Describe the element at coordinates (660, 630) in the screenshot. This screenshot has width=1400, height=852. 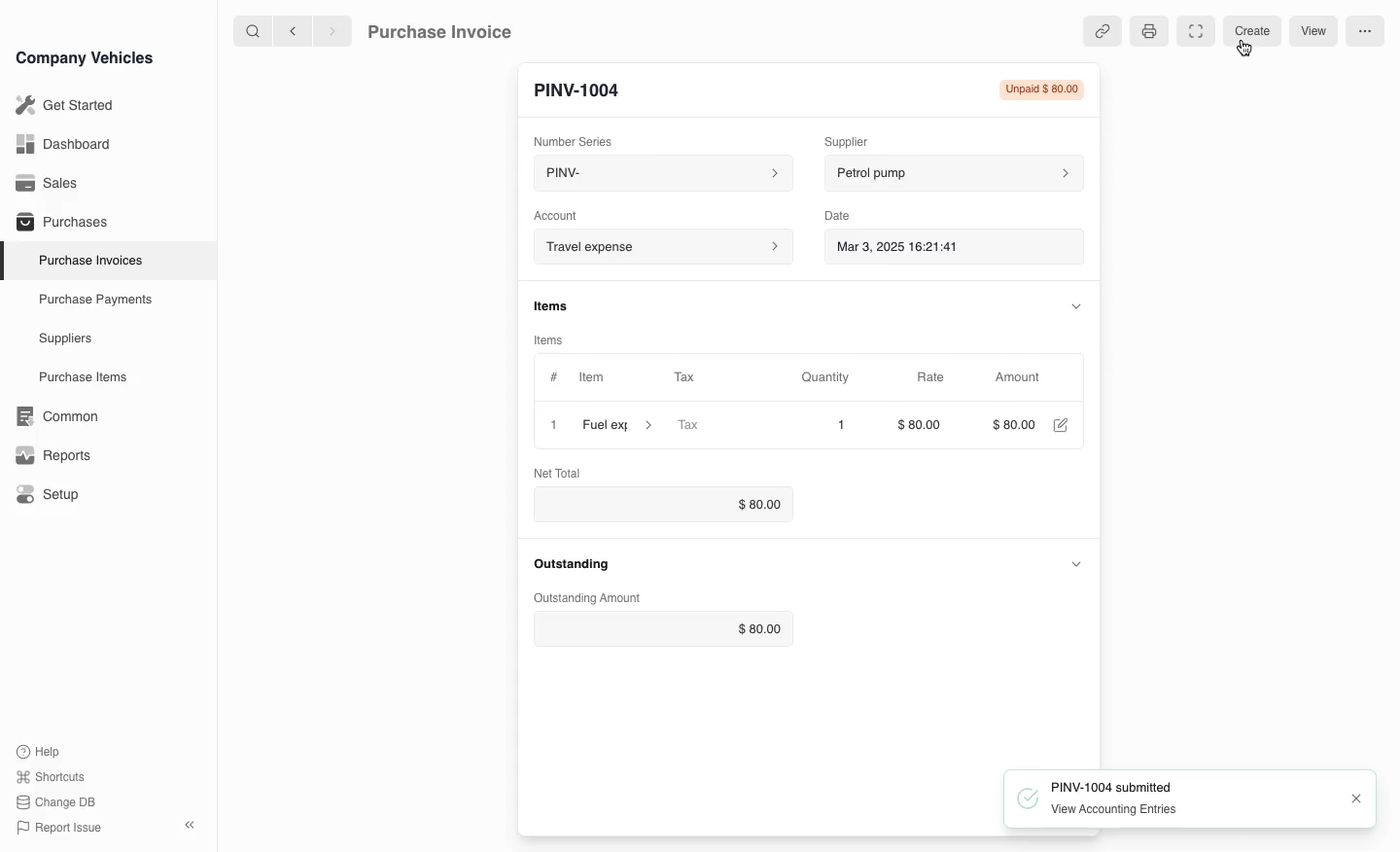
I see `$80.00` at that location.